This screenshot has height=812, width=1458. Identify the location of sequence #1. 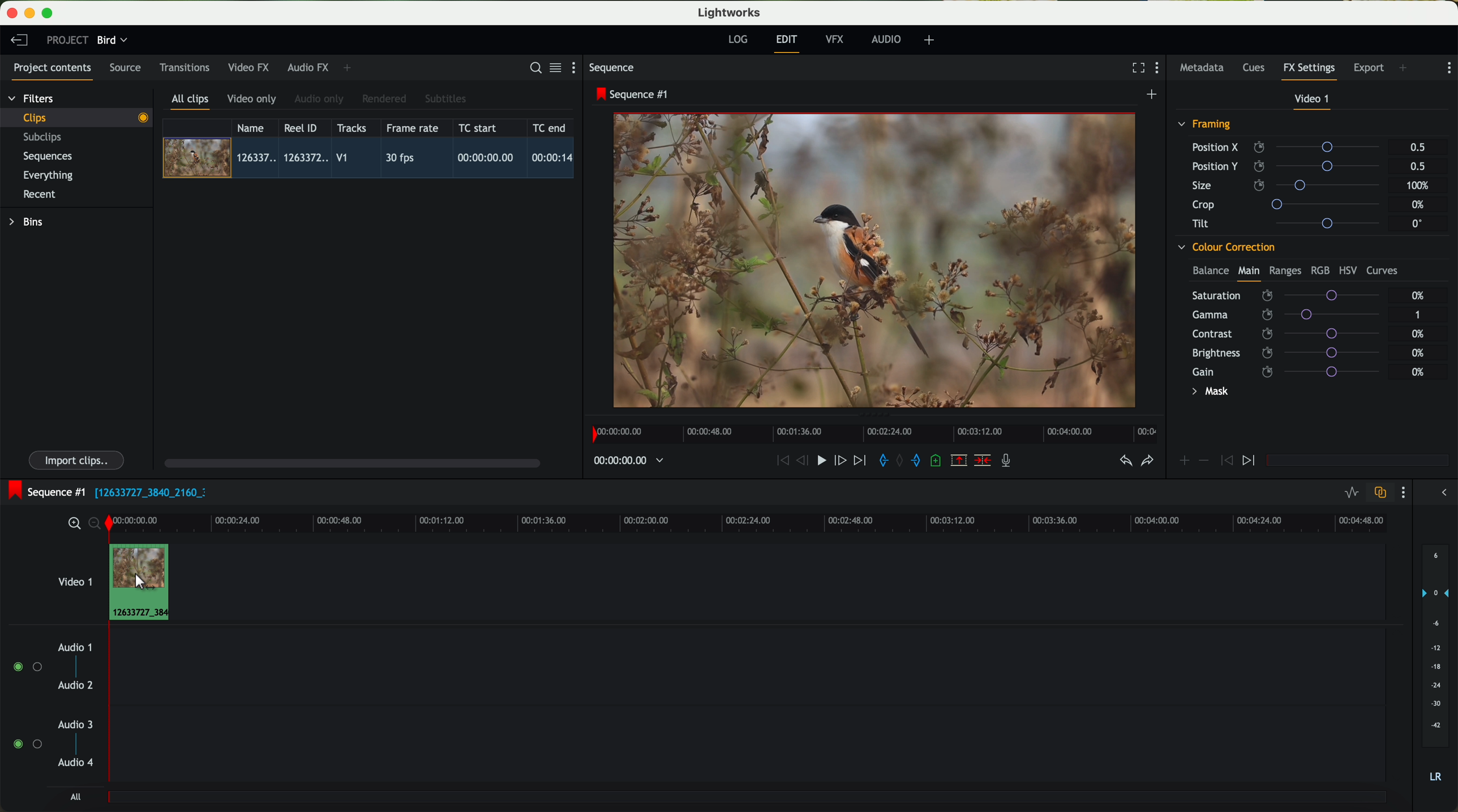
(633, 94).